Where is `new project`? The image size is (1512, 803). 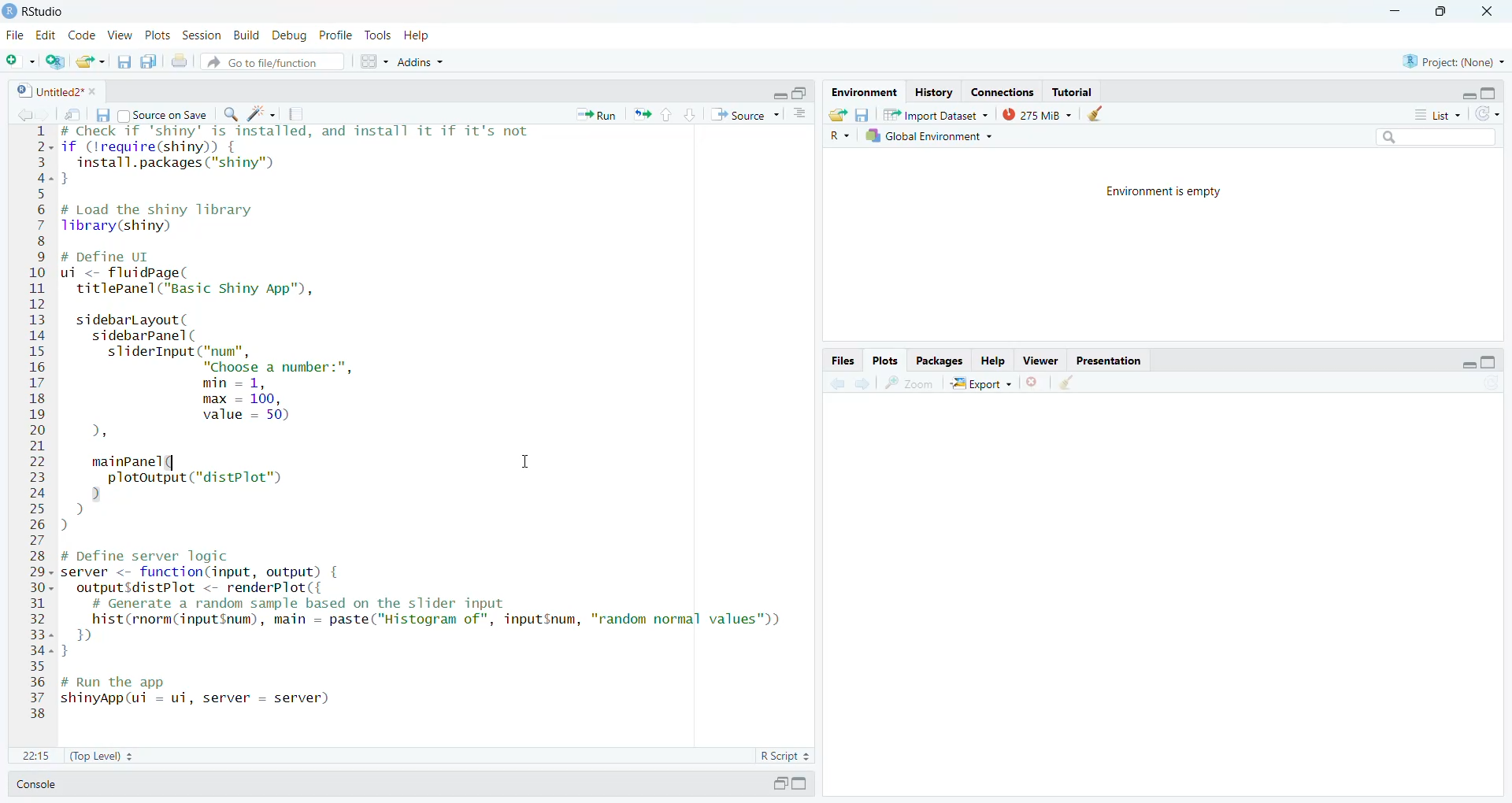
new project is located at coordinates (55, 61).